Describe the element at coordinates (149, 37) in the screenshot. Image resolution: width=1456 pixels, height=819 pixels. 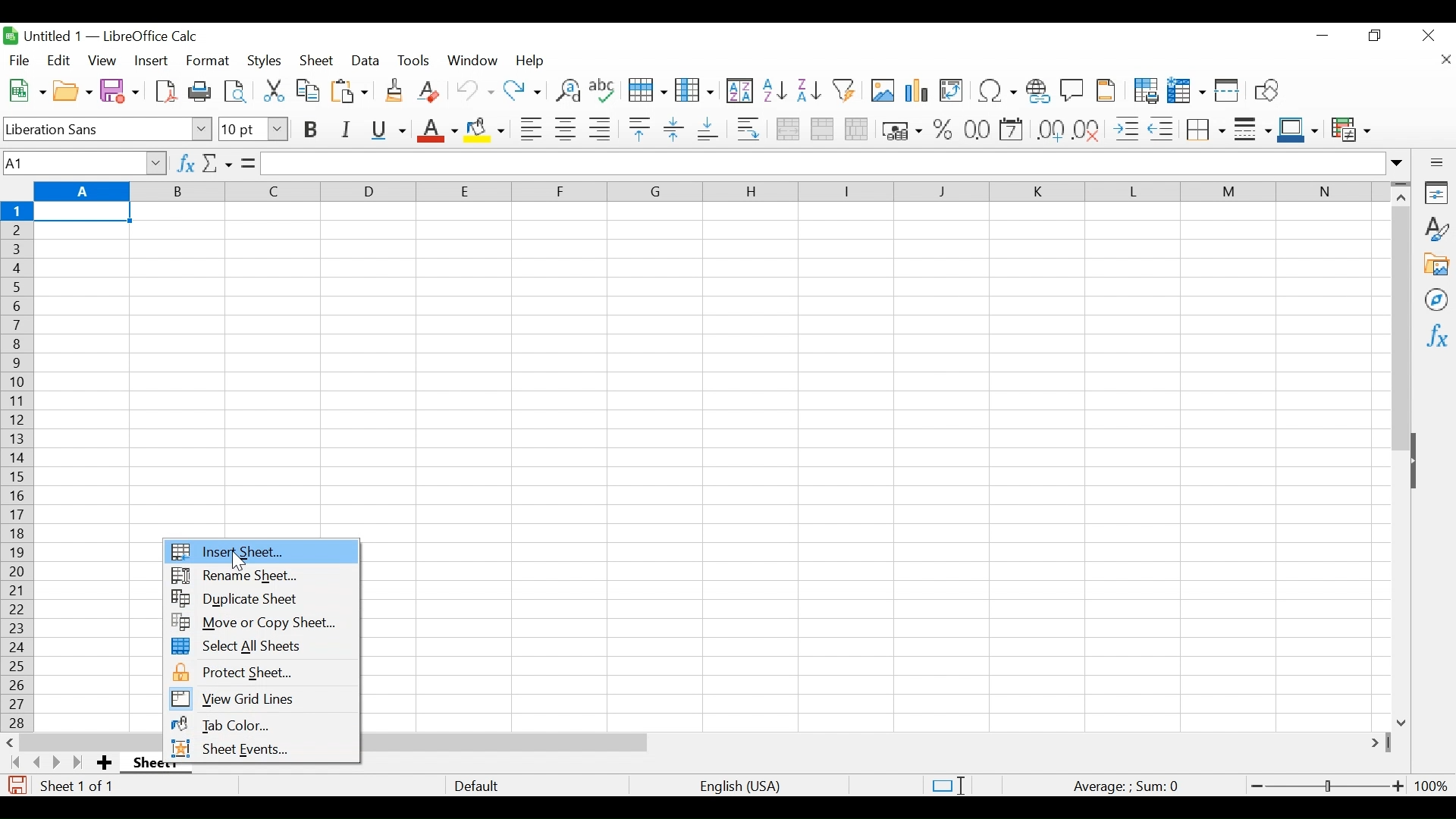
I see `LibreOffice Calc` at that location.